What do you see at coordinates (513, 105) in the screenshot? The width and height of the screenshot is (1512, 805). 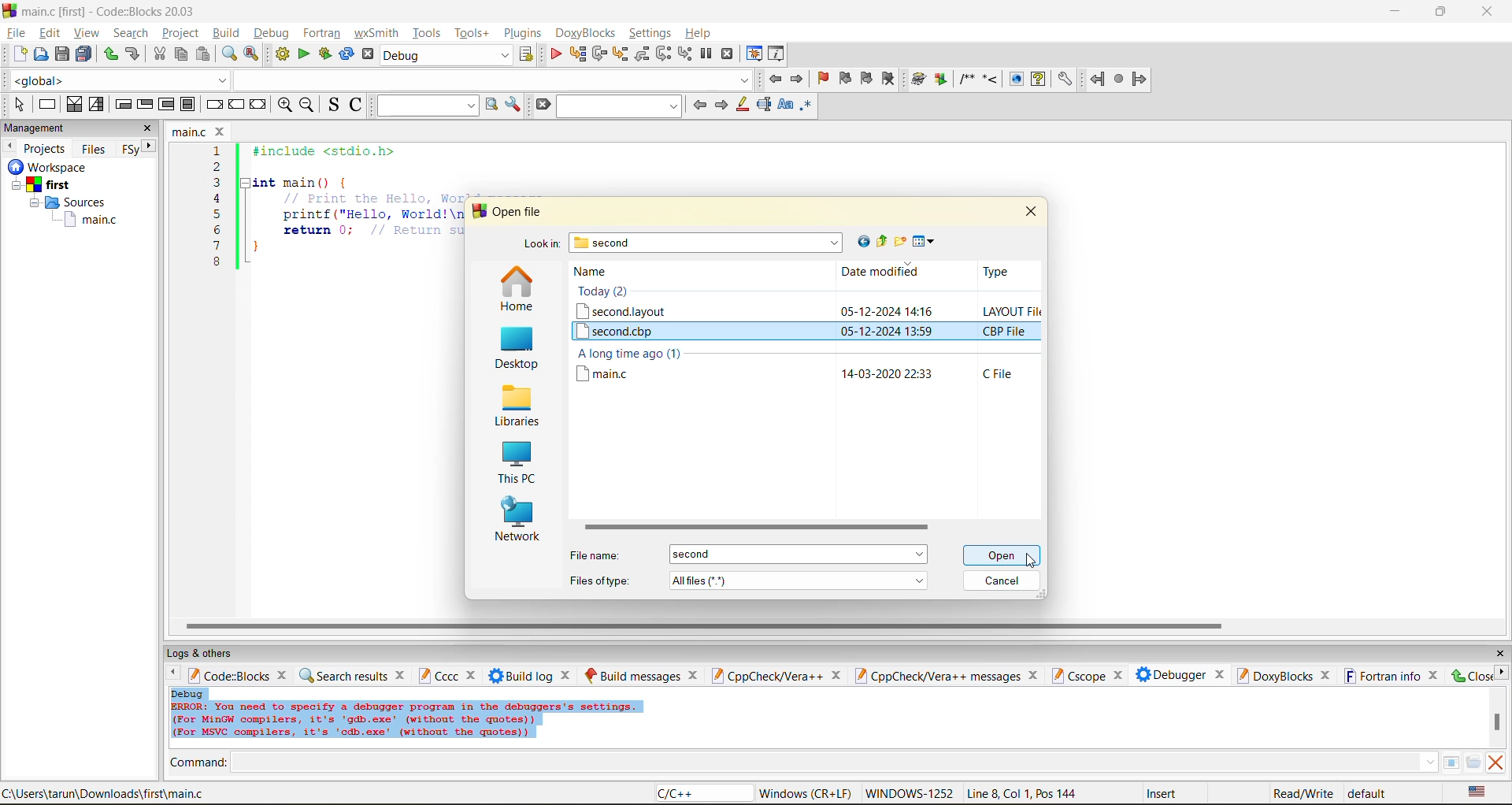 I see `show options window` at bounding box center [513, 105].